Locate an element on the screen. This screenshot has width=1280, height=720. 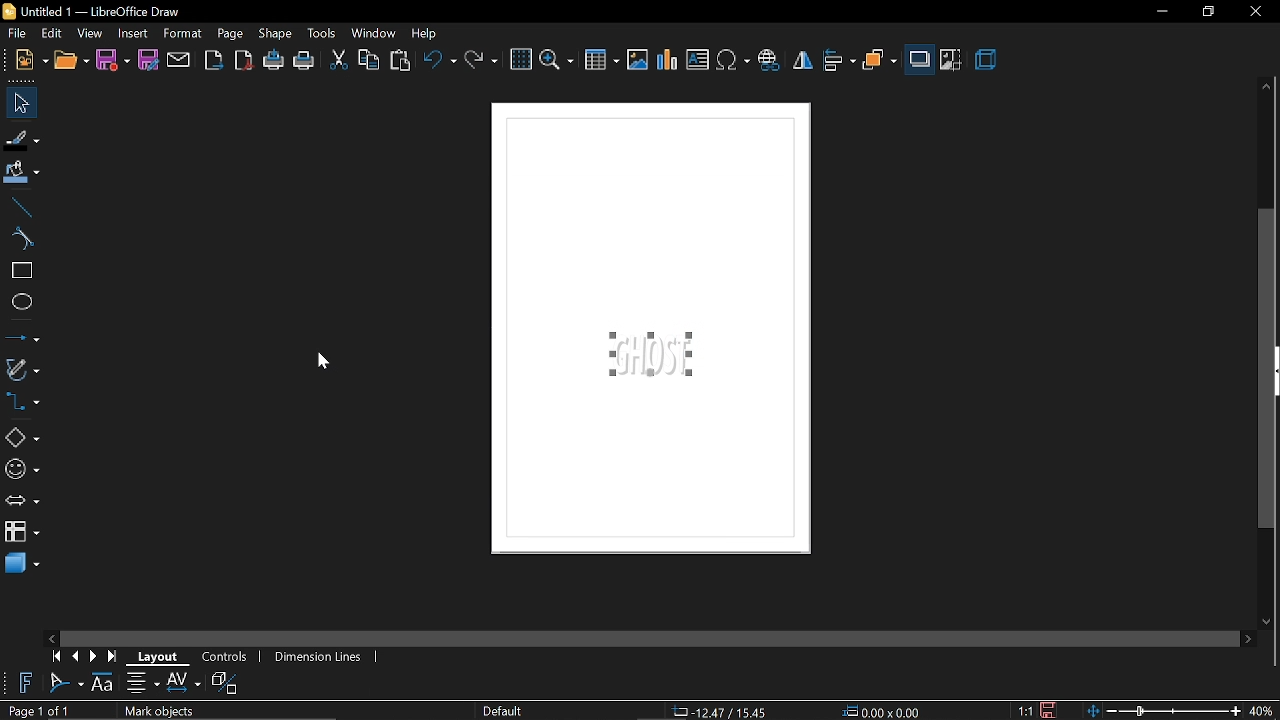
save is located at coordinates (113, 62).